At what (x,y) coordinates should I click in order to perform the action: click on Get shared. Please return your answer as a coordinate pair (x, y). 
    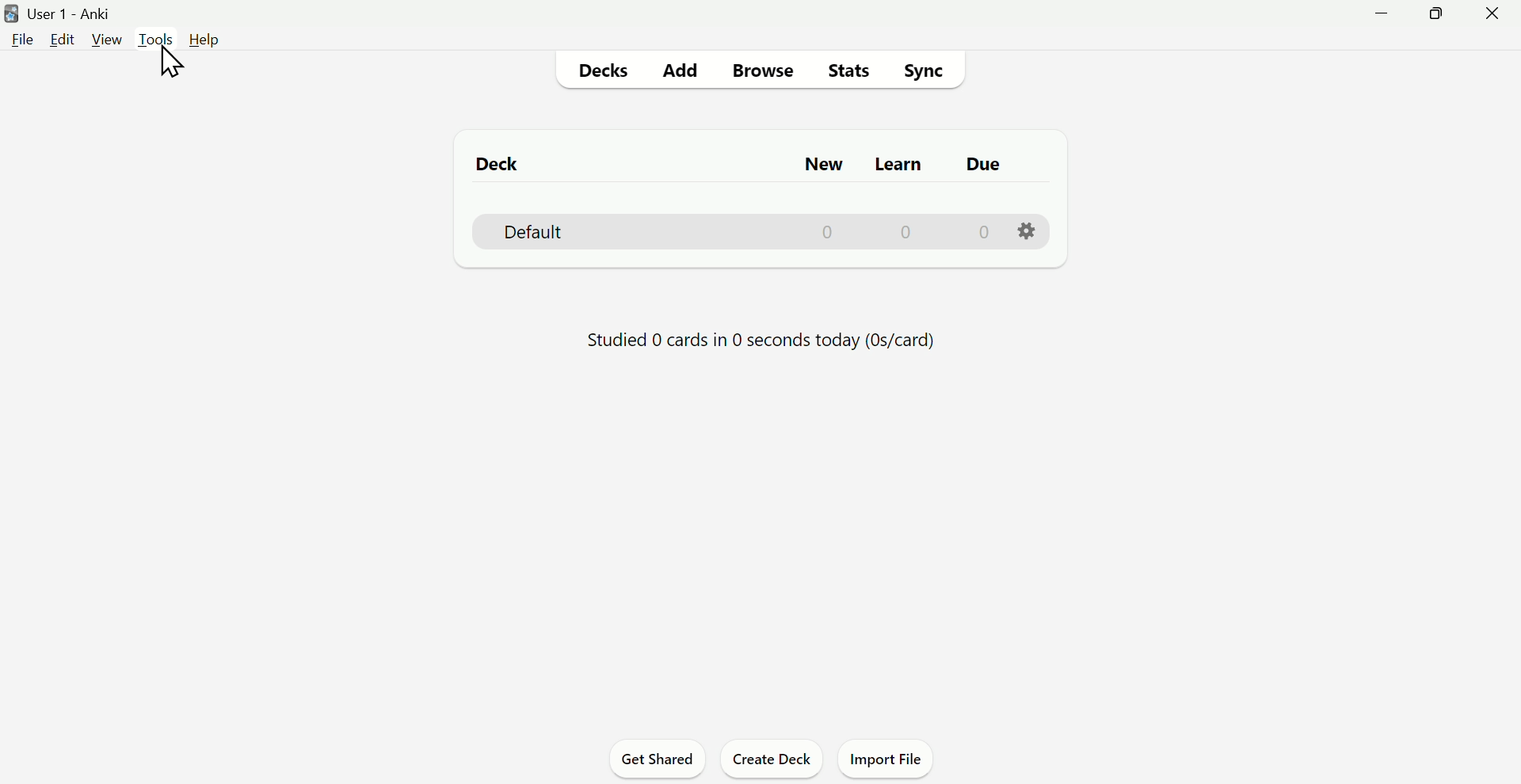
    Looking at the image, I should click on (658, 758).